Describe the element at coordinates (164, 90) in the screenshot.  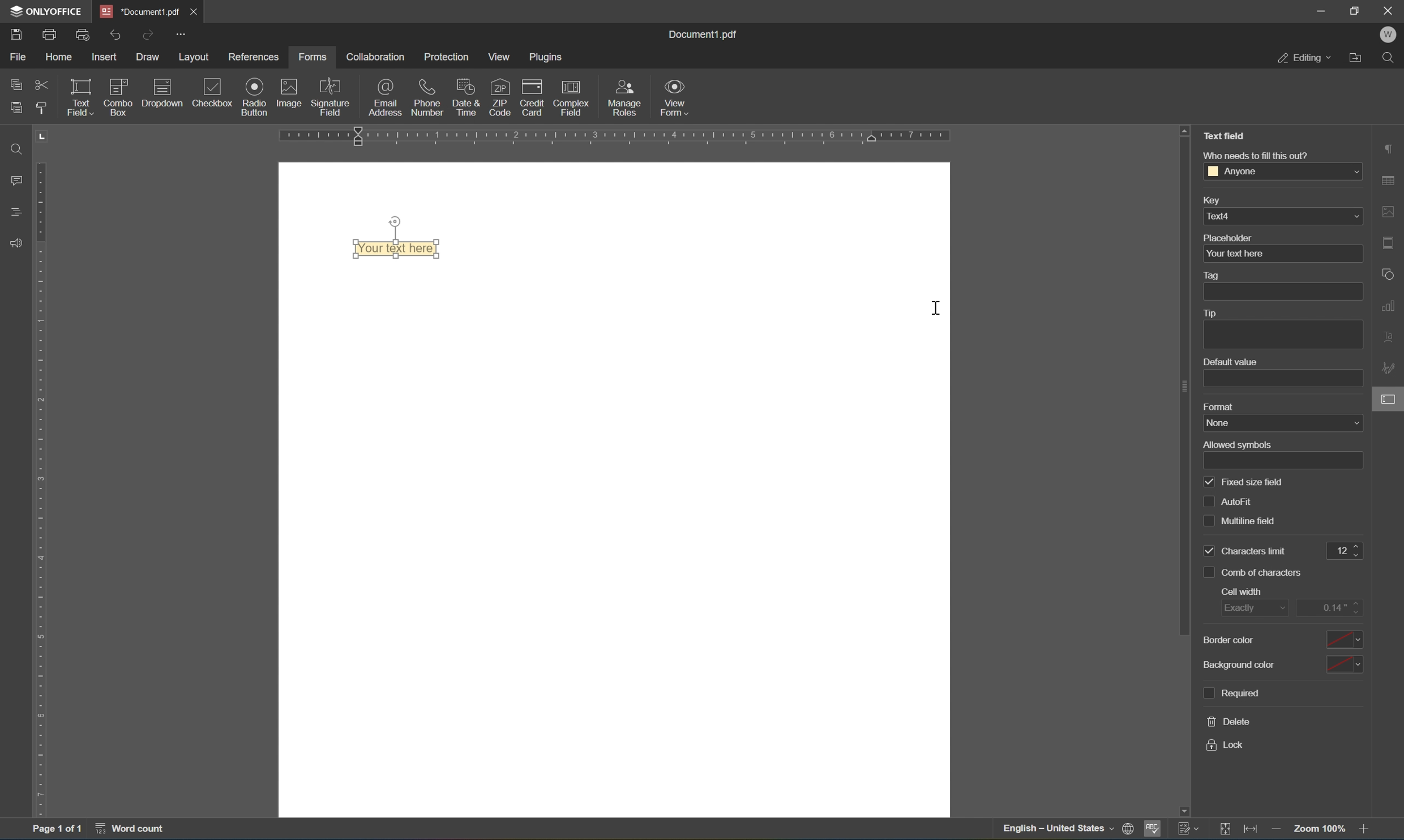
I see `dropdown` at that location.